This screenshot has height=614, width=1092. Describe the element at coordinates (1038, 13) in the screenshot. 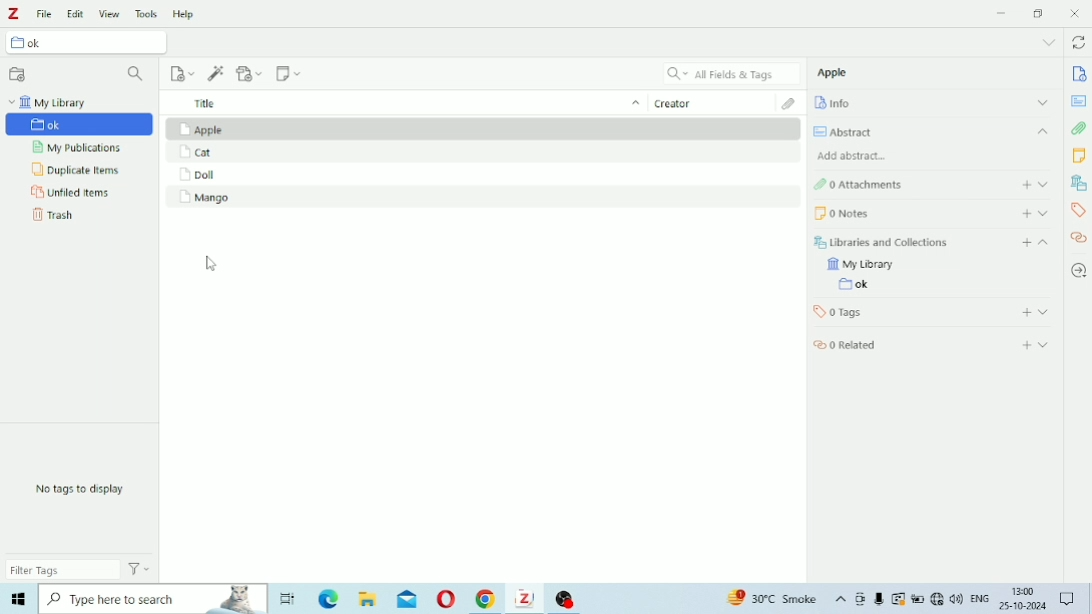

I see `Restore Down` at that location.